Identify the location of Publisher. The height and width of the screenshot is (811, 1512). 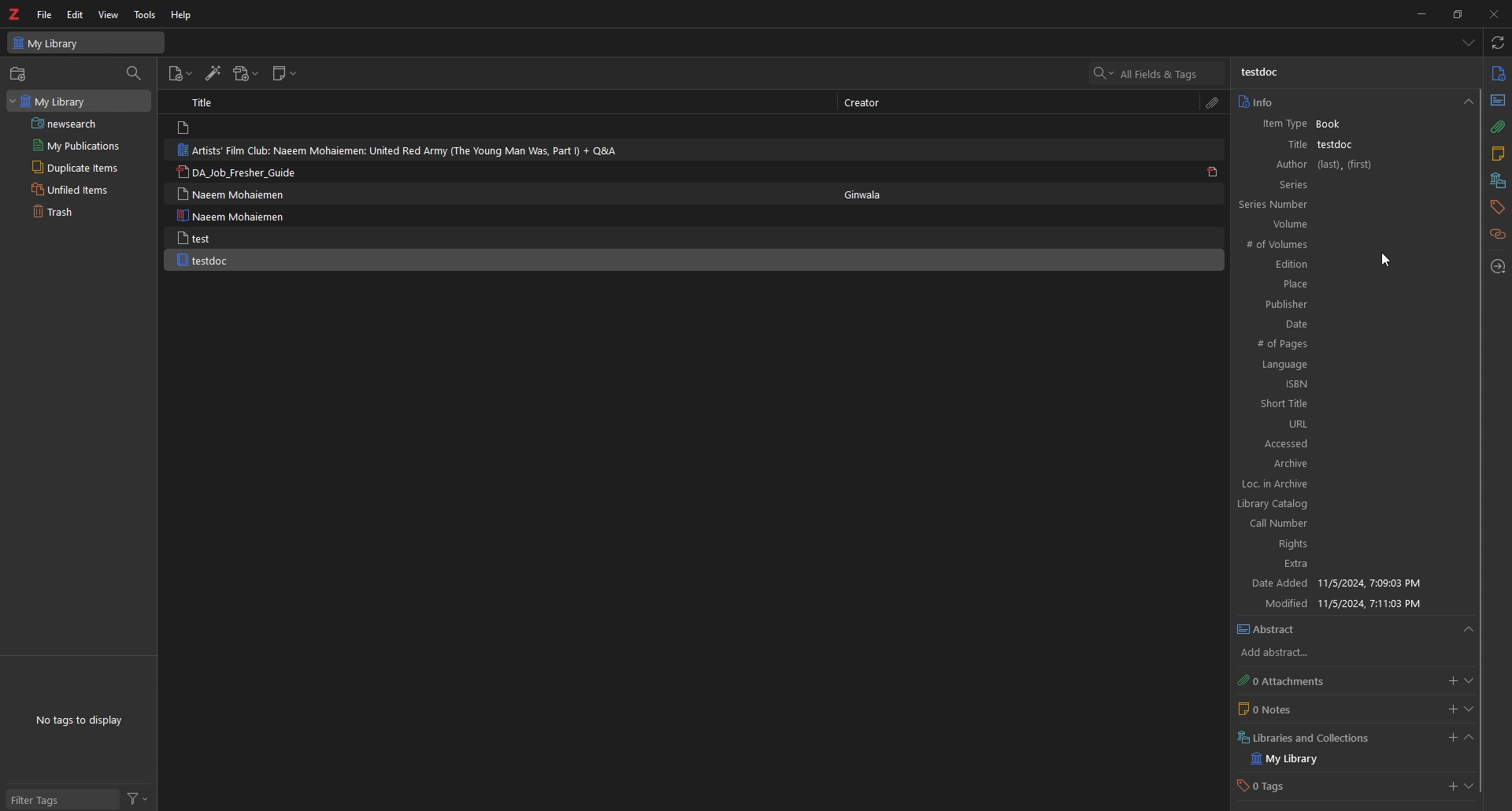
(1356, 305).